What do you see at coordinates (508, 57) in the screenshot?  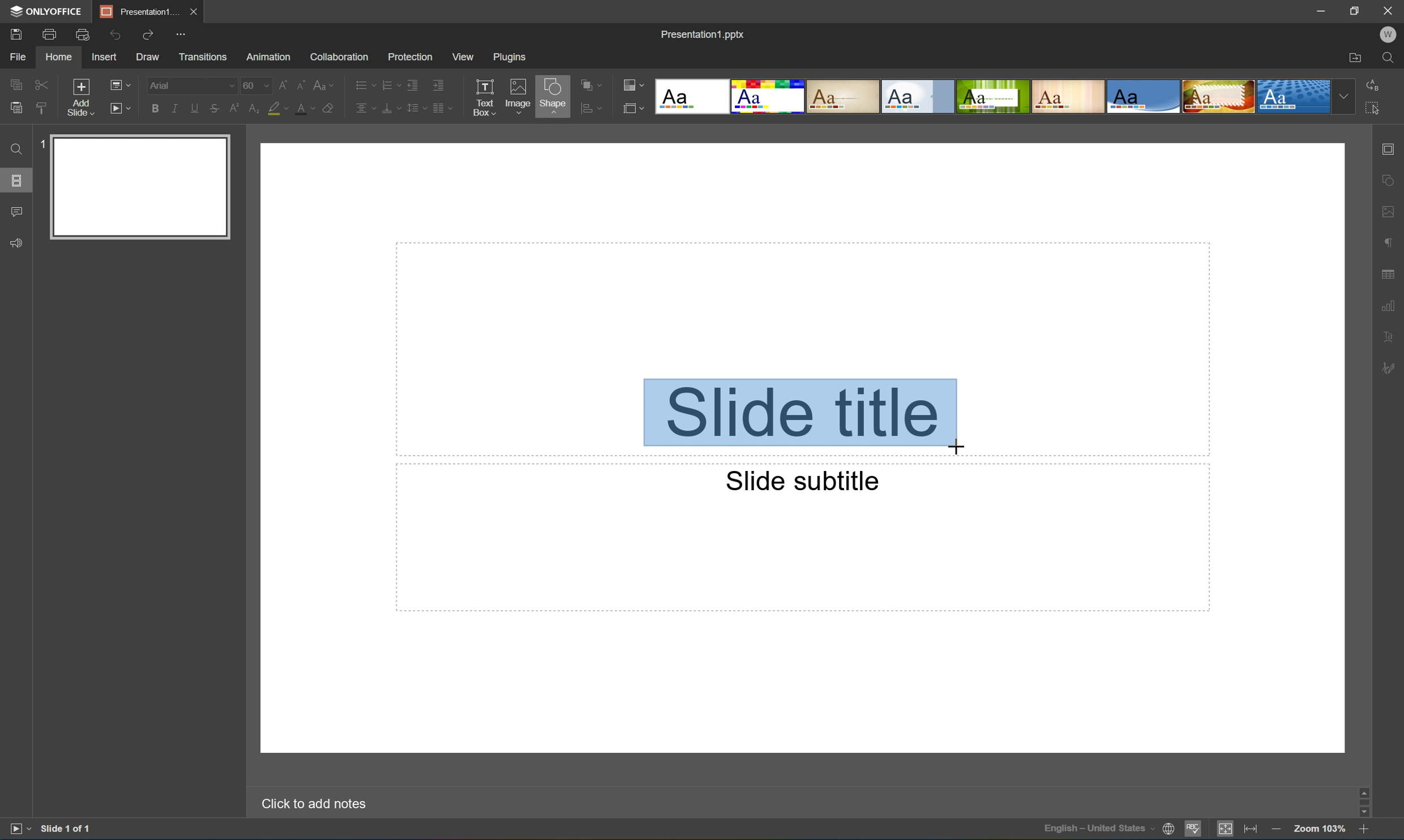 I see `Plugins` at bounding box center [508, 57].